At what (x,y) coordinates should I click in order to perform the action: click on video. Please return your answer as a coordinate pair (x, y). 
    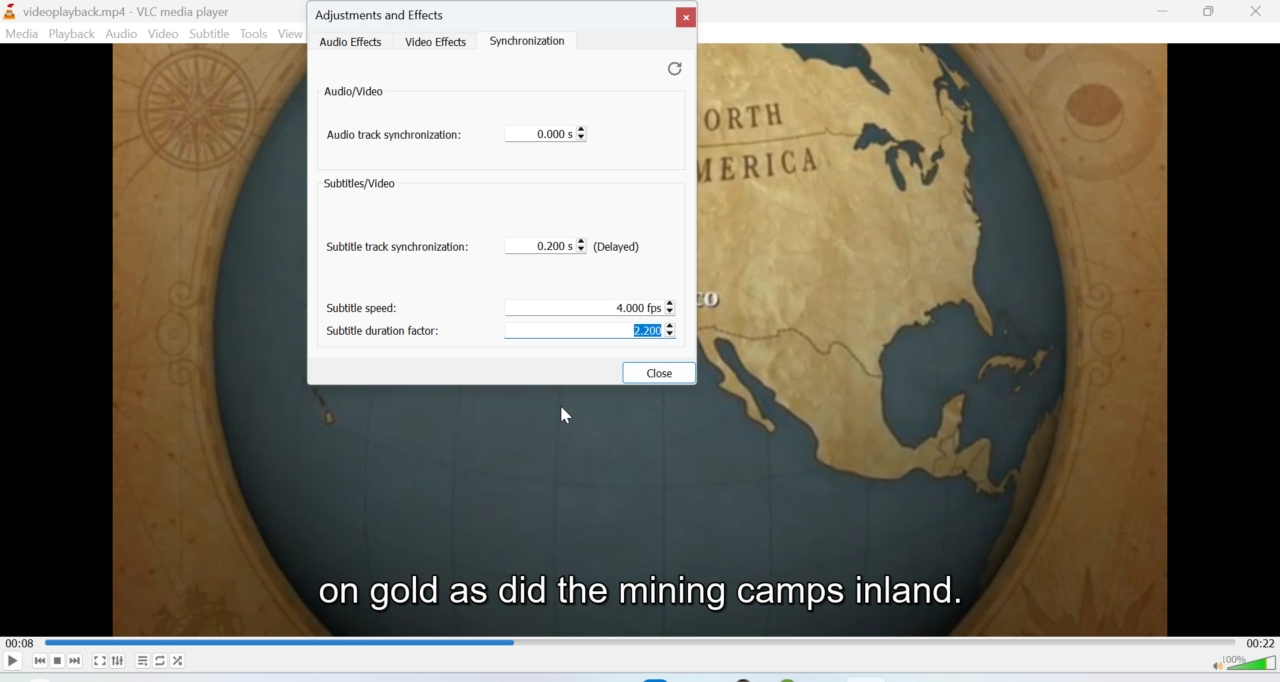
    Looking at the image, I should click on (628, 507).